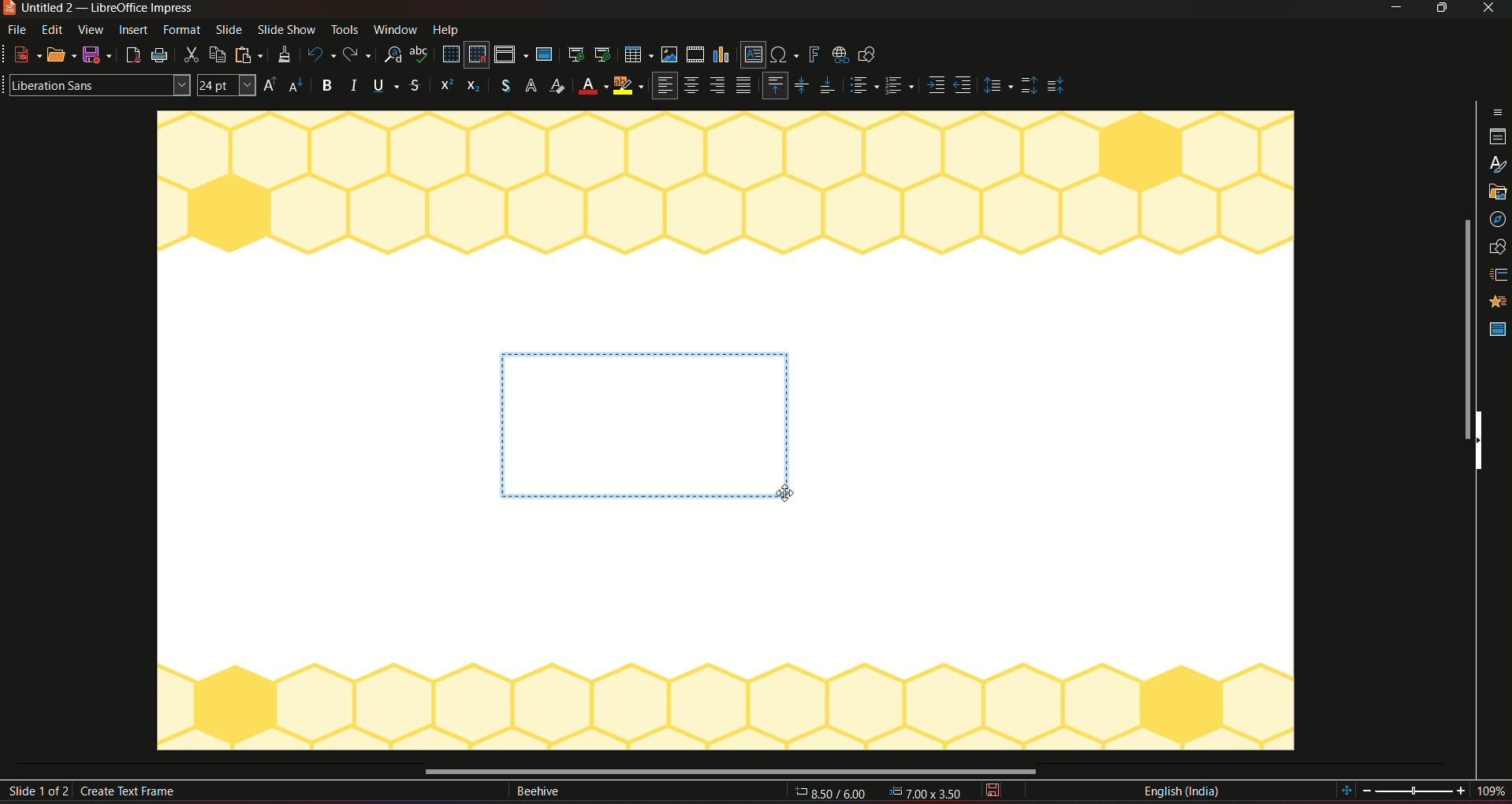 The height and width of the screenshot is (804, 1512). Describe the element at coordinates (996, 791) in the screenshot. I see `save` at that location.